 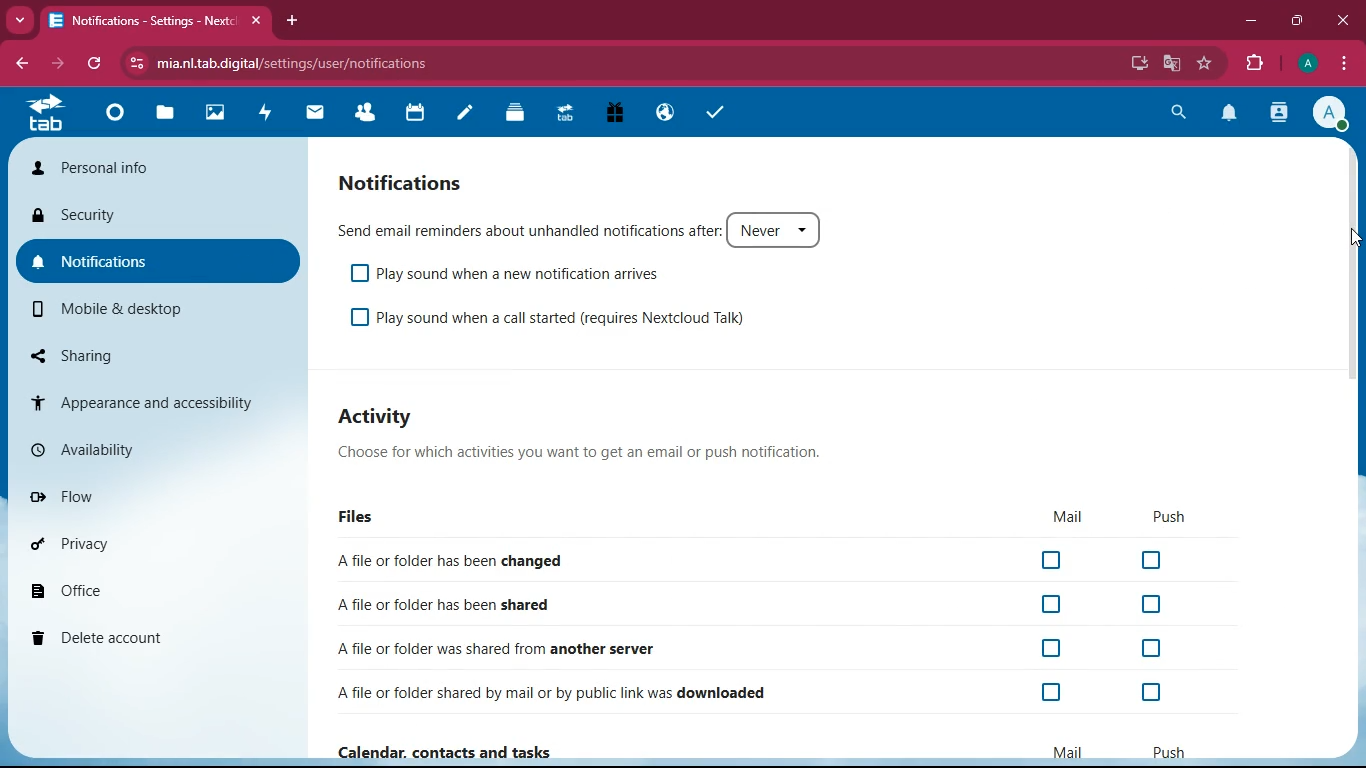 I want to click on mail, so click(x=315, y=114).